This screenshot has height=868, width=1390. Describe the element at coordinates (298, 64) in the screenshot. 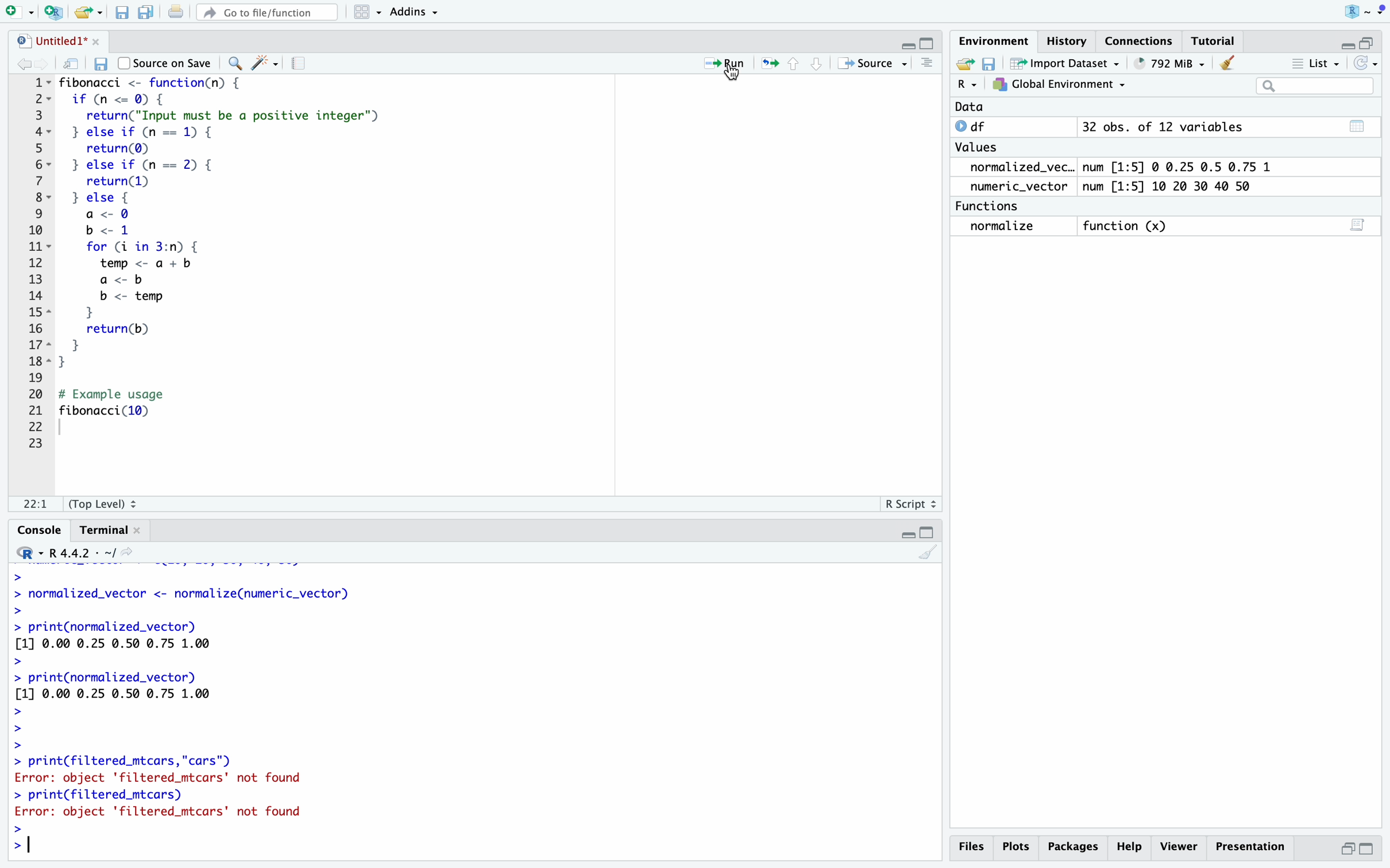

I see `compile report` at that location.